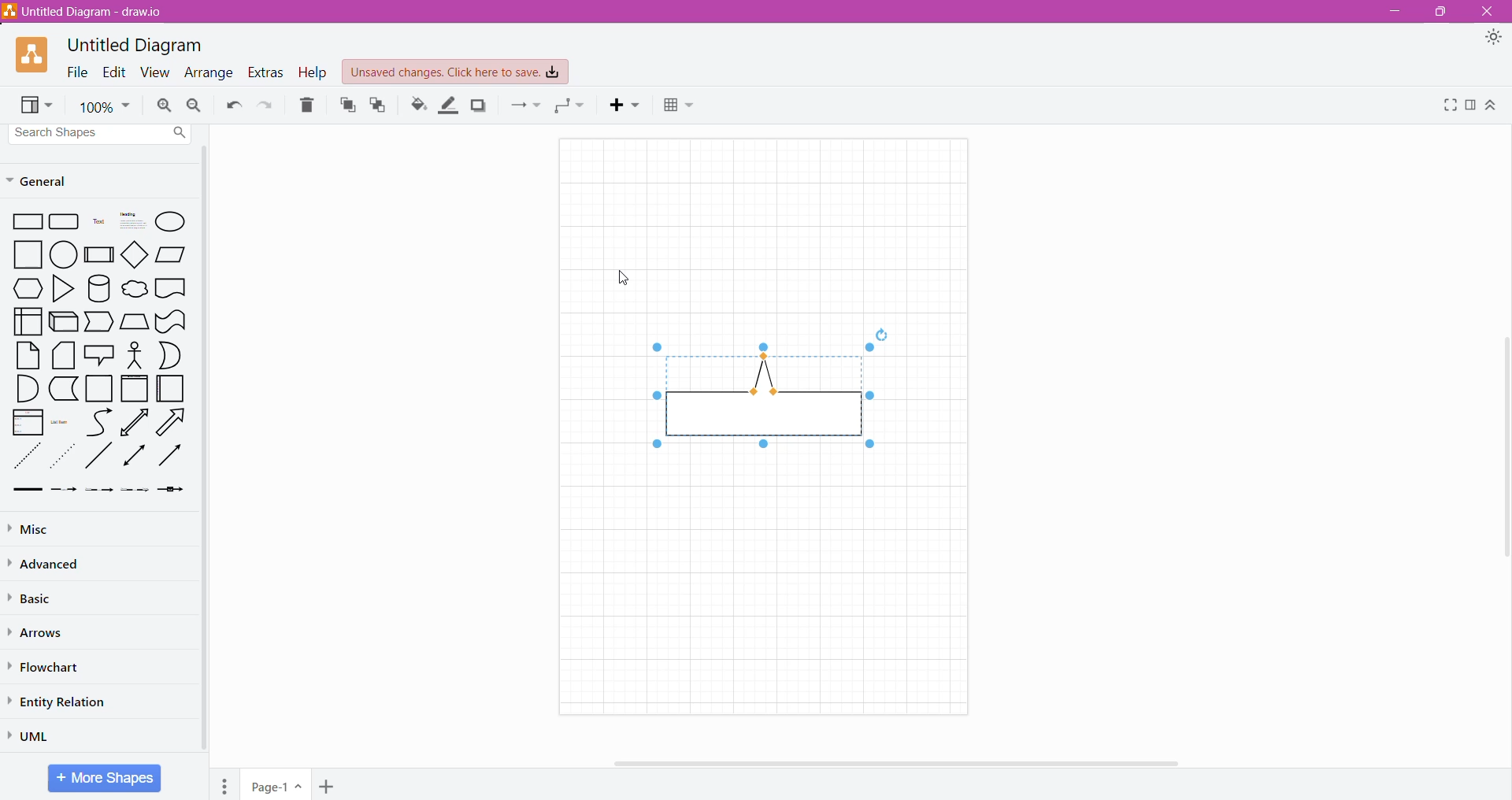  What do you see at coordinates (1439, 12) in the screenshot?
I see `Restore Down` at bounding box center [1439, 12].